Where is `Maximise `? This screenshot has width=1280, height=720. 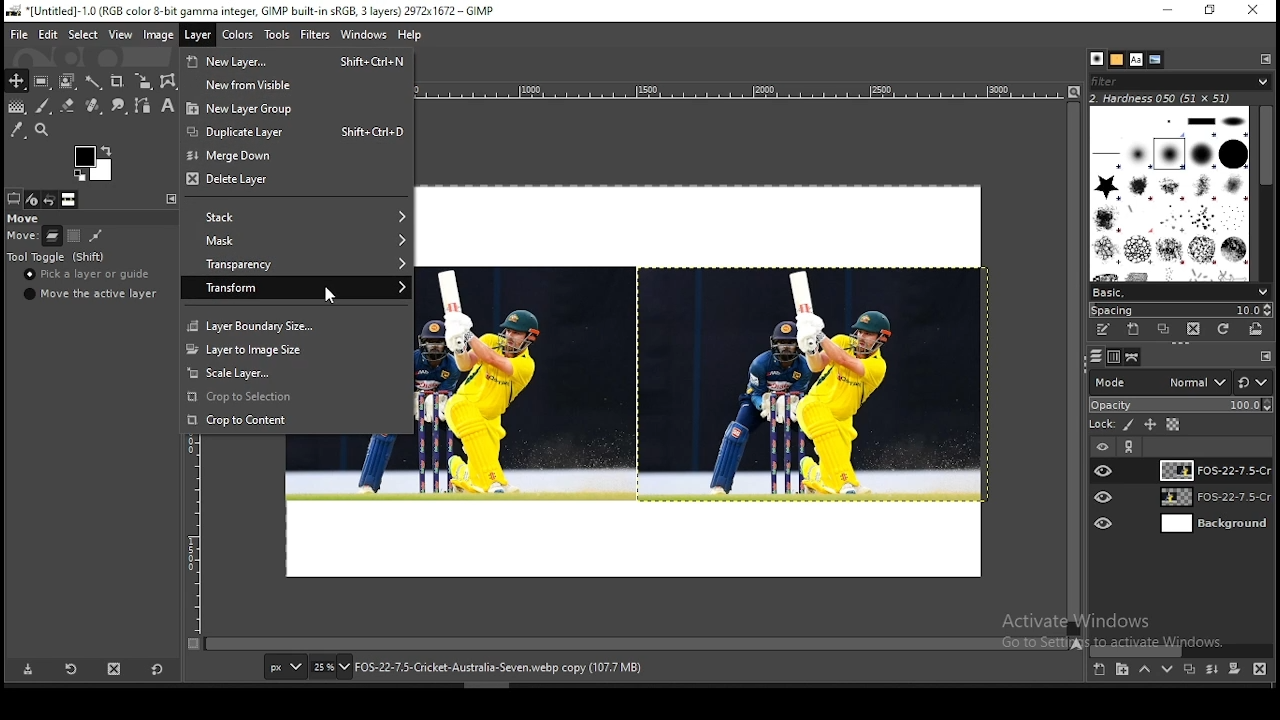
Maximise  is located at coordinates (1211, 10).